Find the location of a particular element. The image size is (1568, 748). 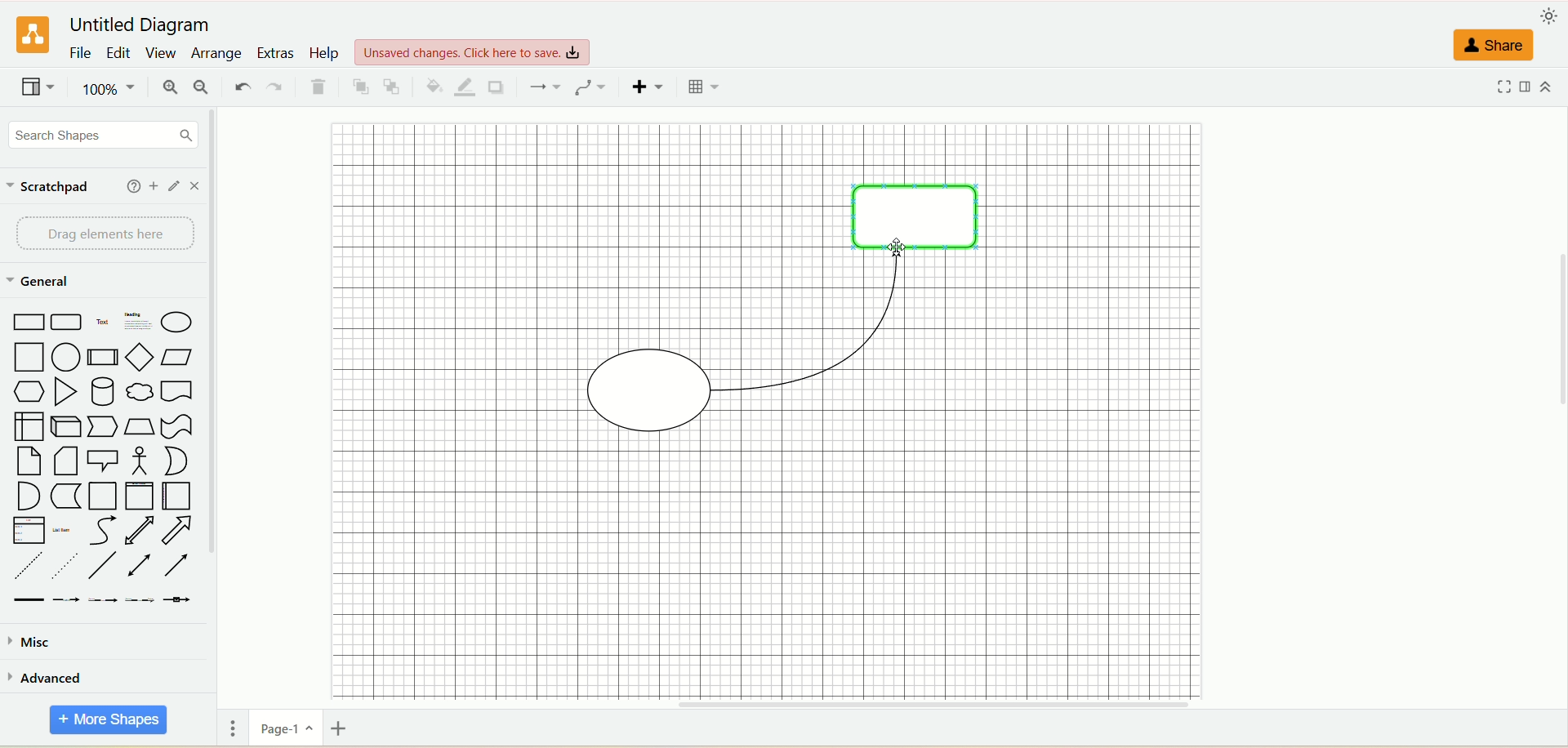

fullscreen is located at coordinates (1500, 86).